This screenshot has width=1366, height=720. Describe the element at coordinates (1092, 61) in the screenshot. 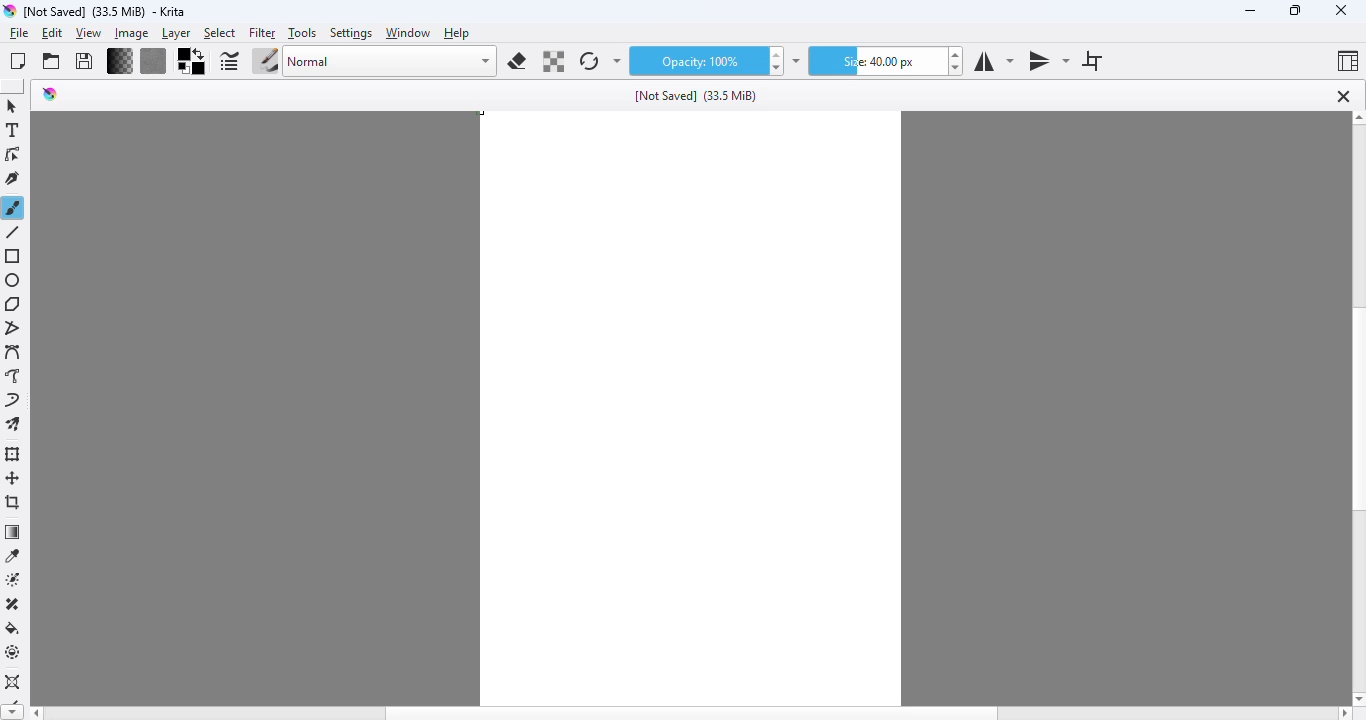

I see `wrap around mode` at that location.